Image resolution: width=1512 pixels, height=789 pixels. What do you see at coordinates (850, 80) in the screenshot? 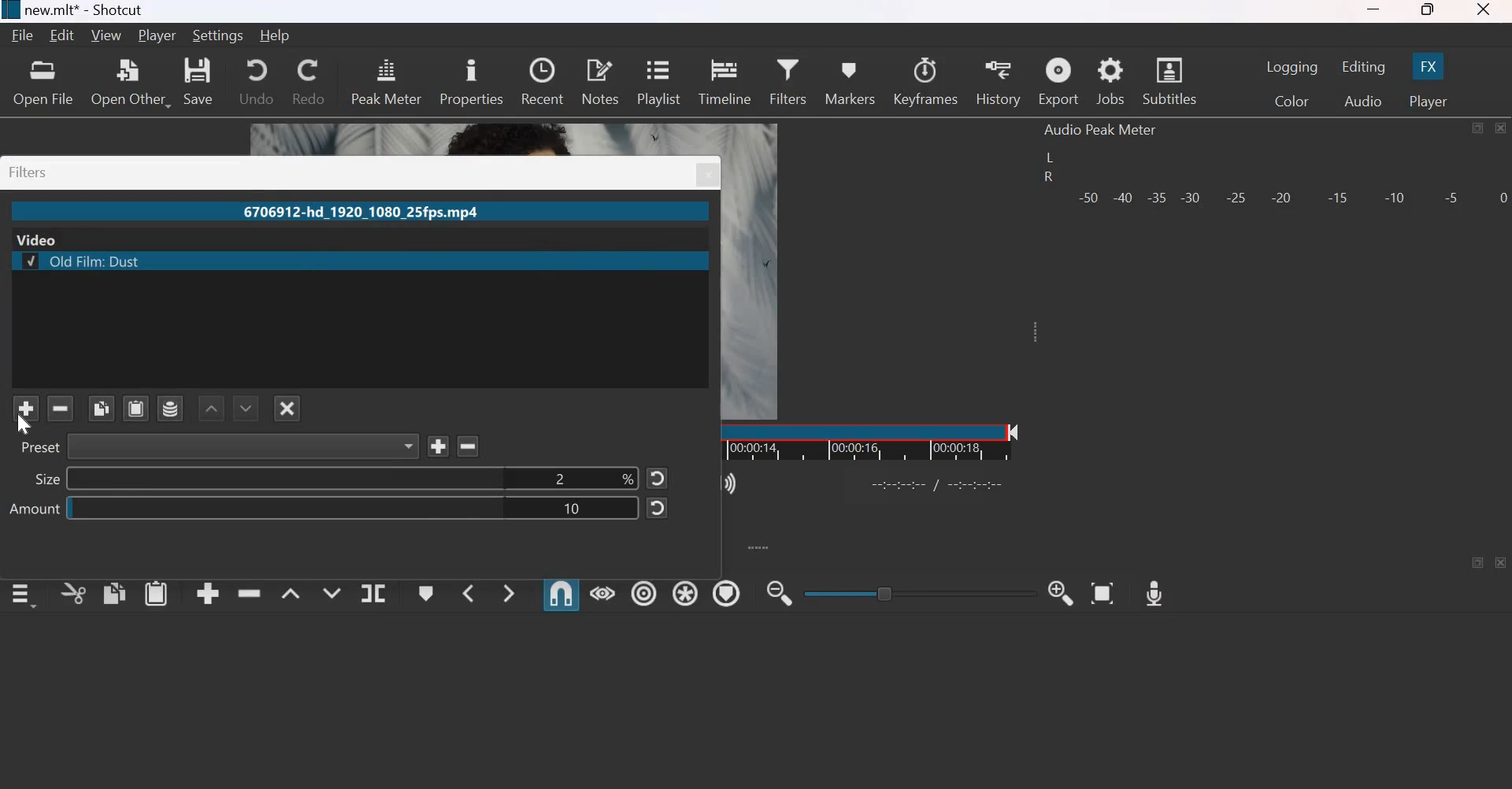
I see `Markers` at bounding box center [850, 80].